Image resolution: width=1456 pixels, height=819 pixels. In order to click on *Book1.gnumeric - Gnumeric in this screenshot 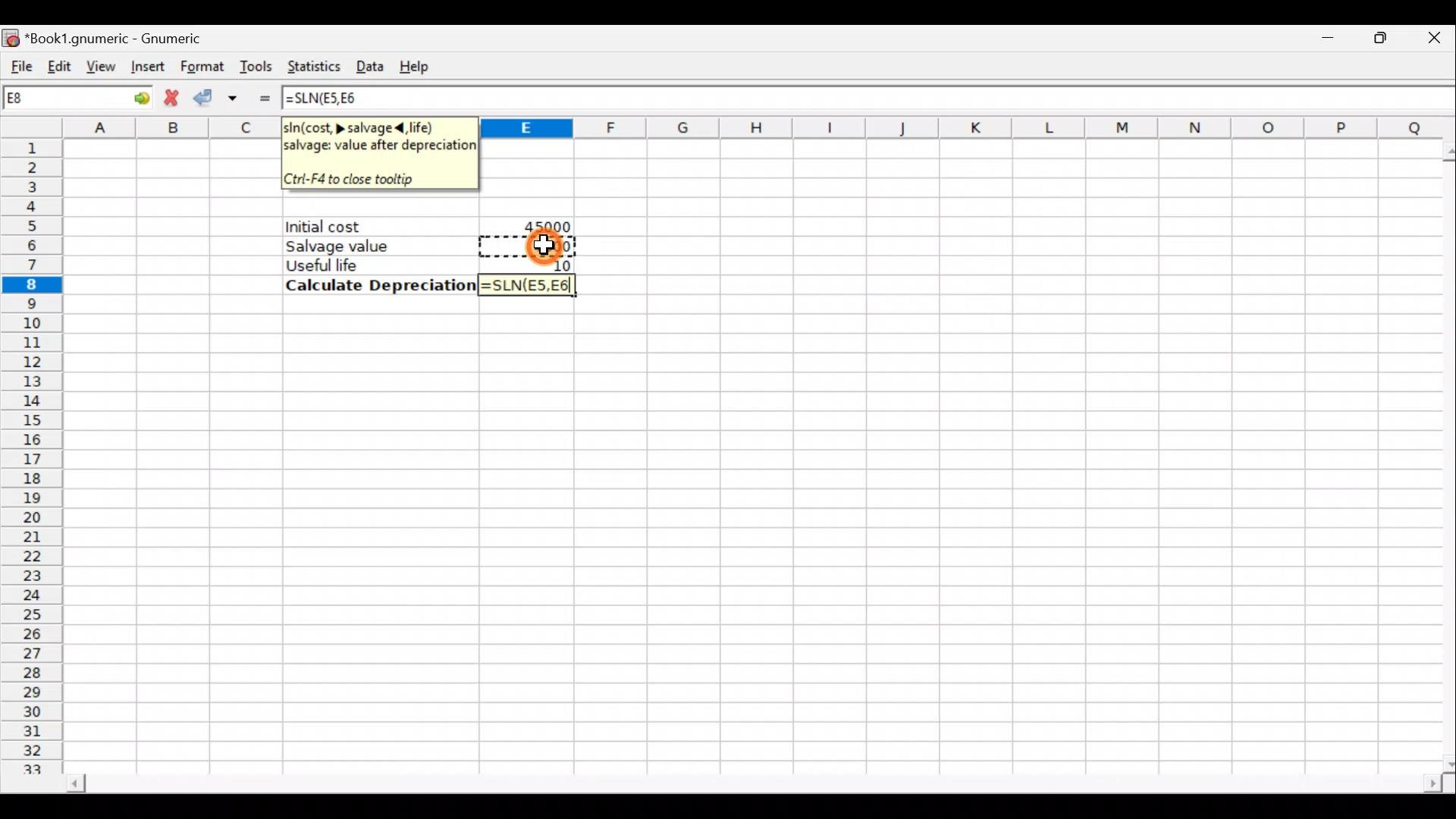, I will do `click(133, 38)`.